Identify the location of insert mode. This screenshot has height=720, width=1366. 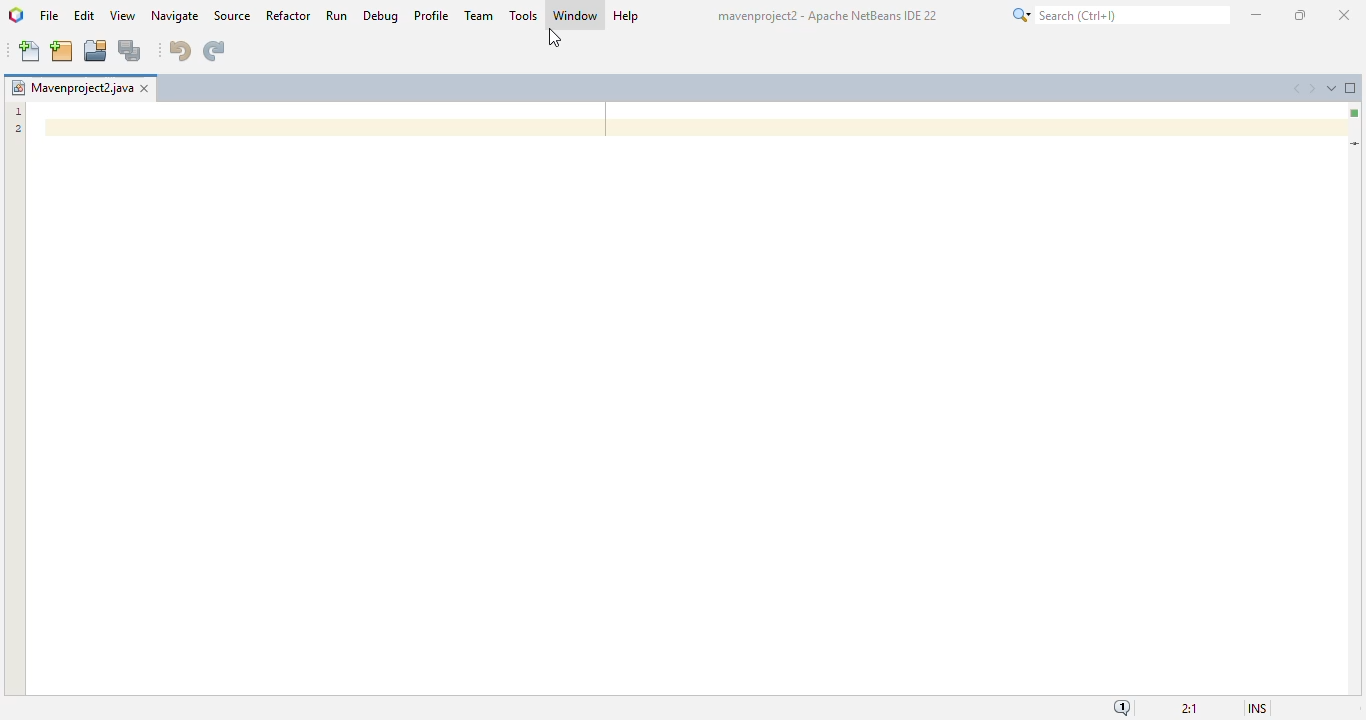
(1257, 709).